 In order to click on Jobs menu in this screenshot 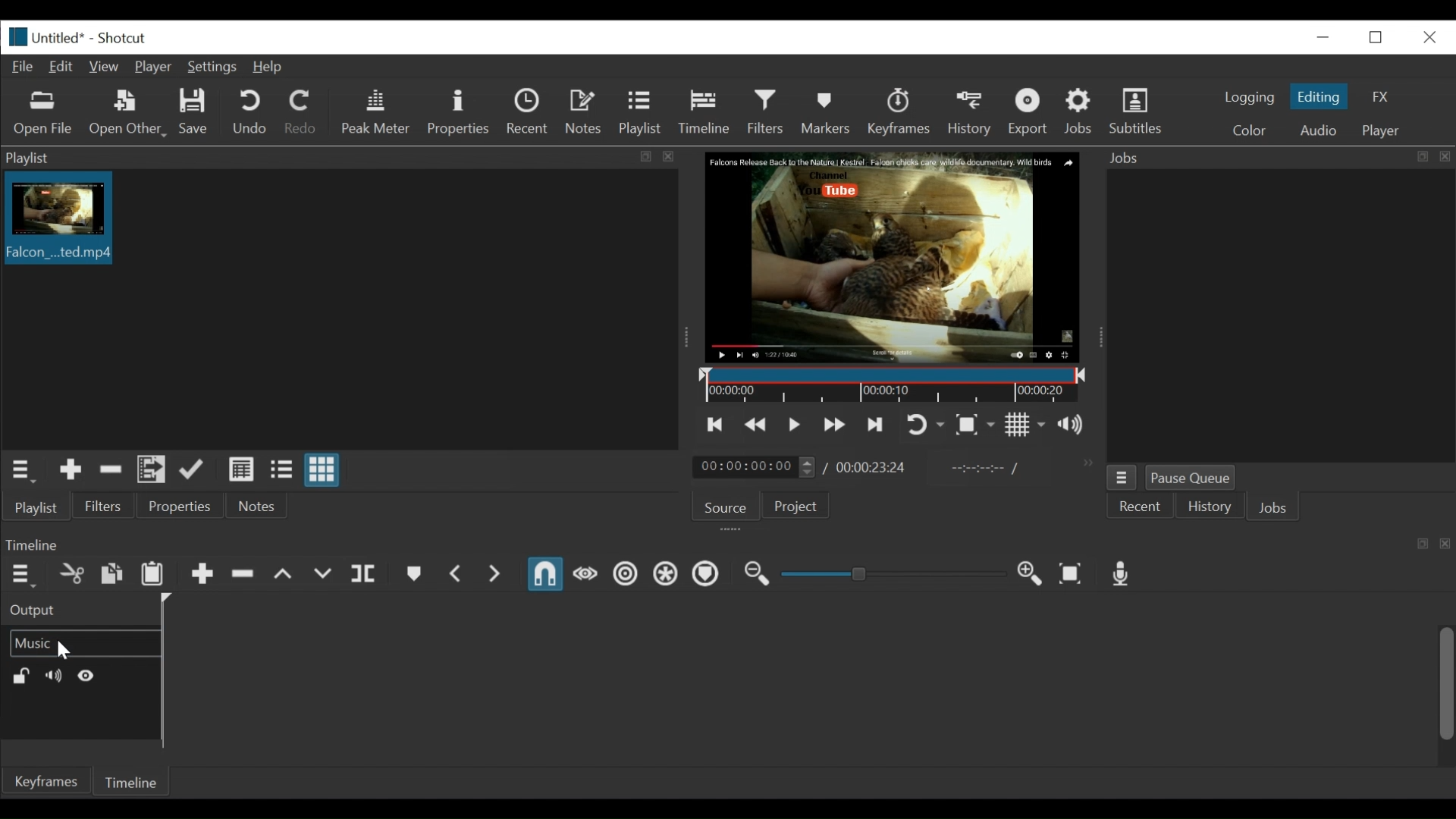, I will do `click(1123, 478)`.